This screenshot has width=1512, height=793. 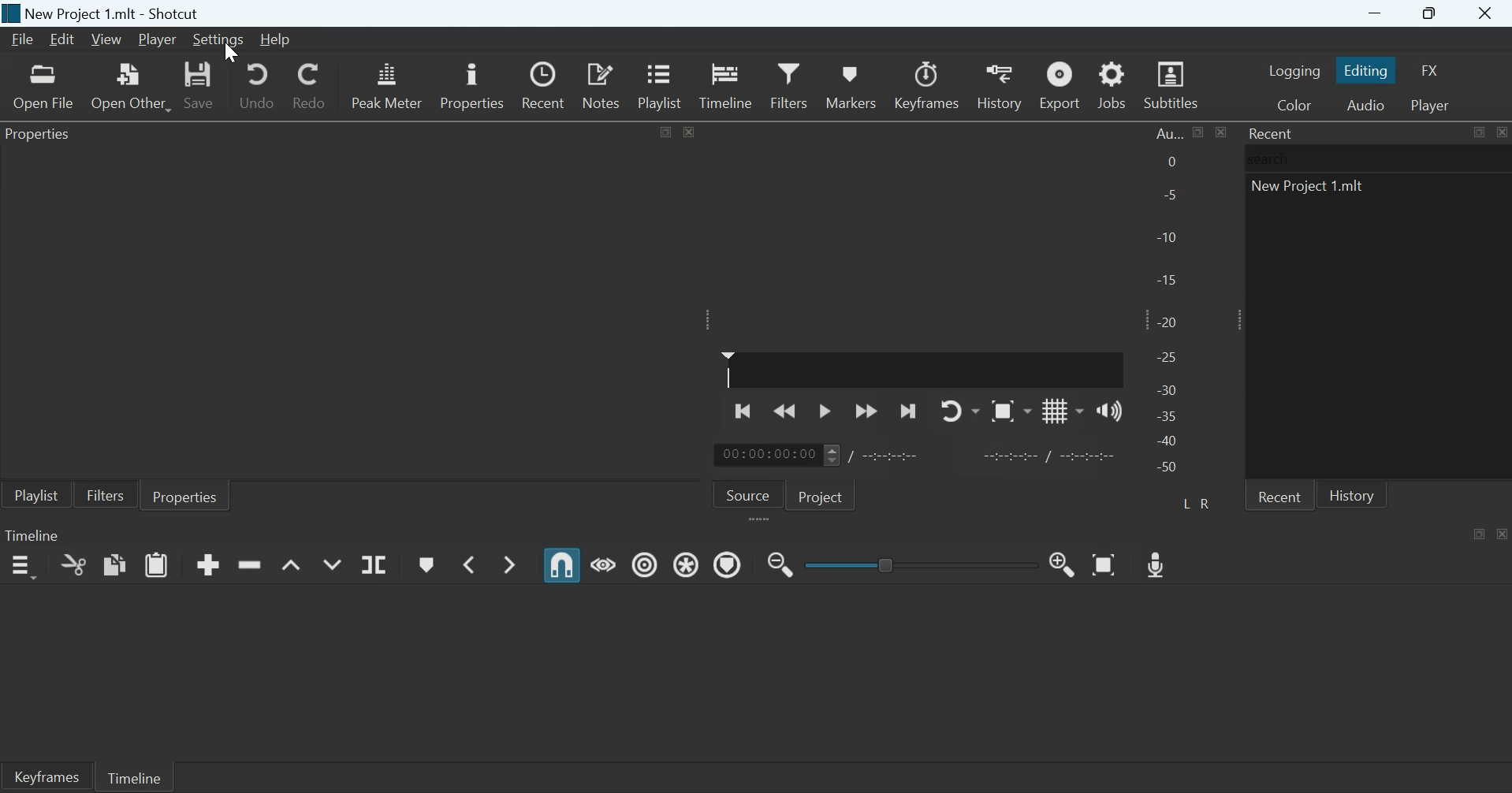 I want to click on new project 1.mlt, so click(x=1312, y=190).